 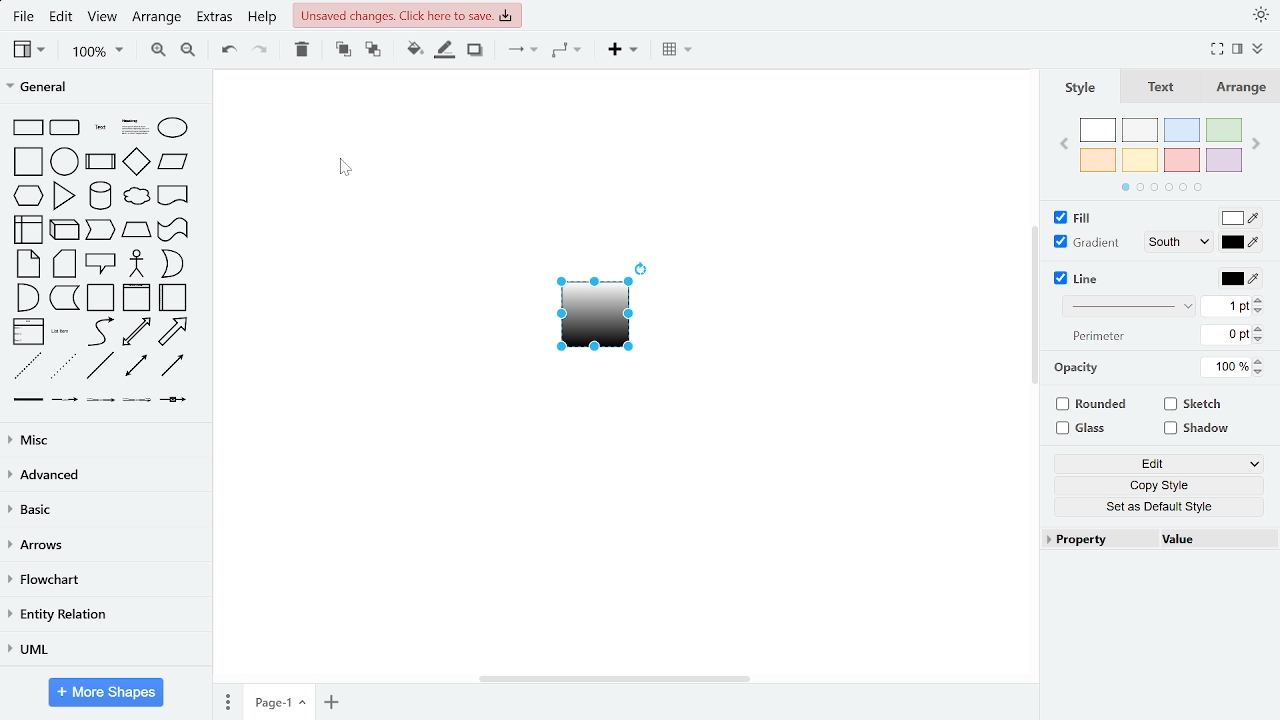 I want to click on edit, so click(x=1162, y=464).